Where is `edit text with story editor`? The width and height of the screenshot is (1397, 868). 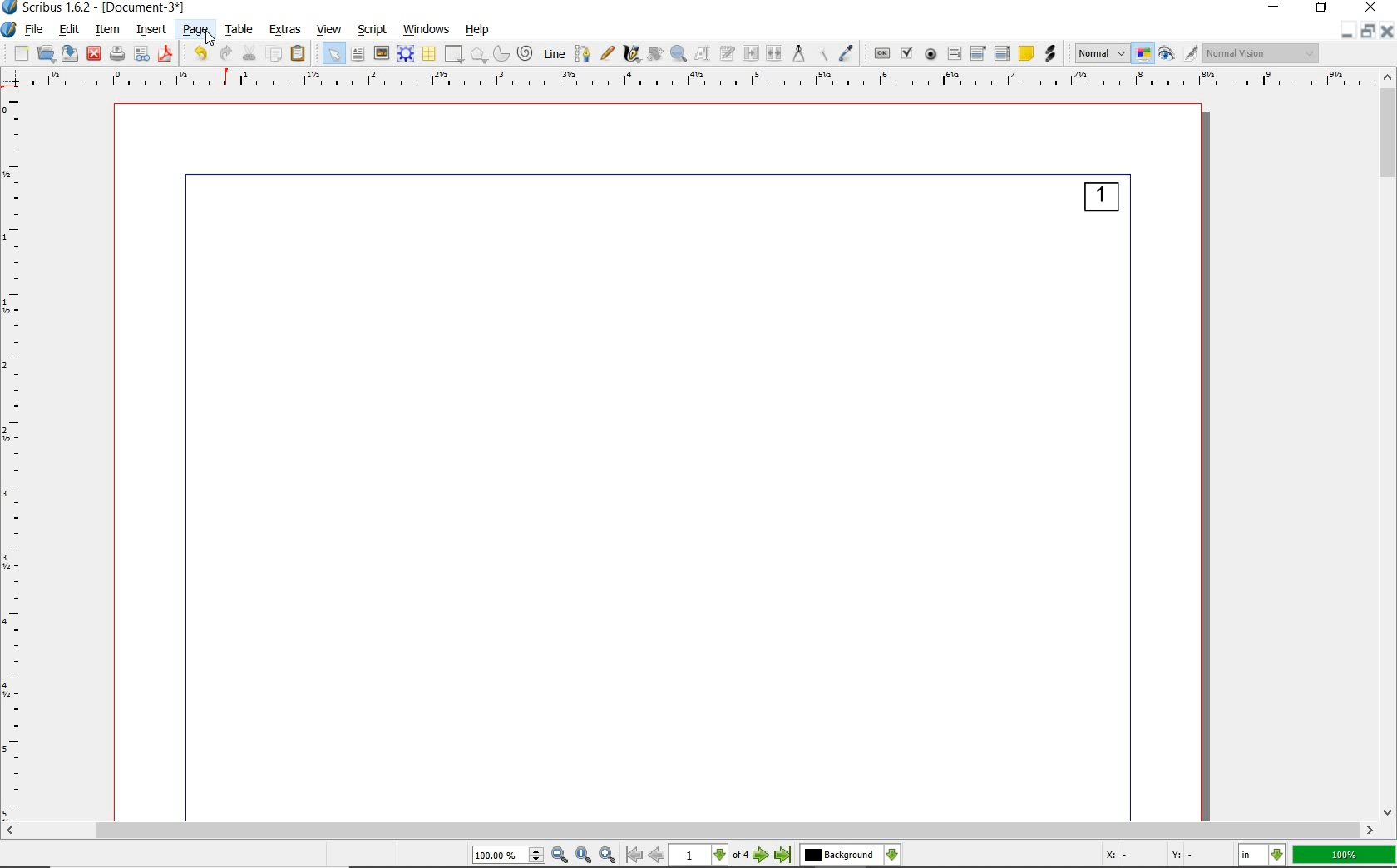 edit text with story editor is located at coordinates (727, 53).